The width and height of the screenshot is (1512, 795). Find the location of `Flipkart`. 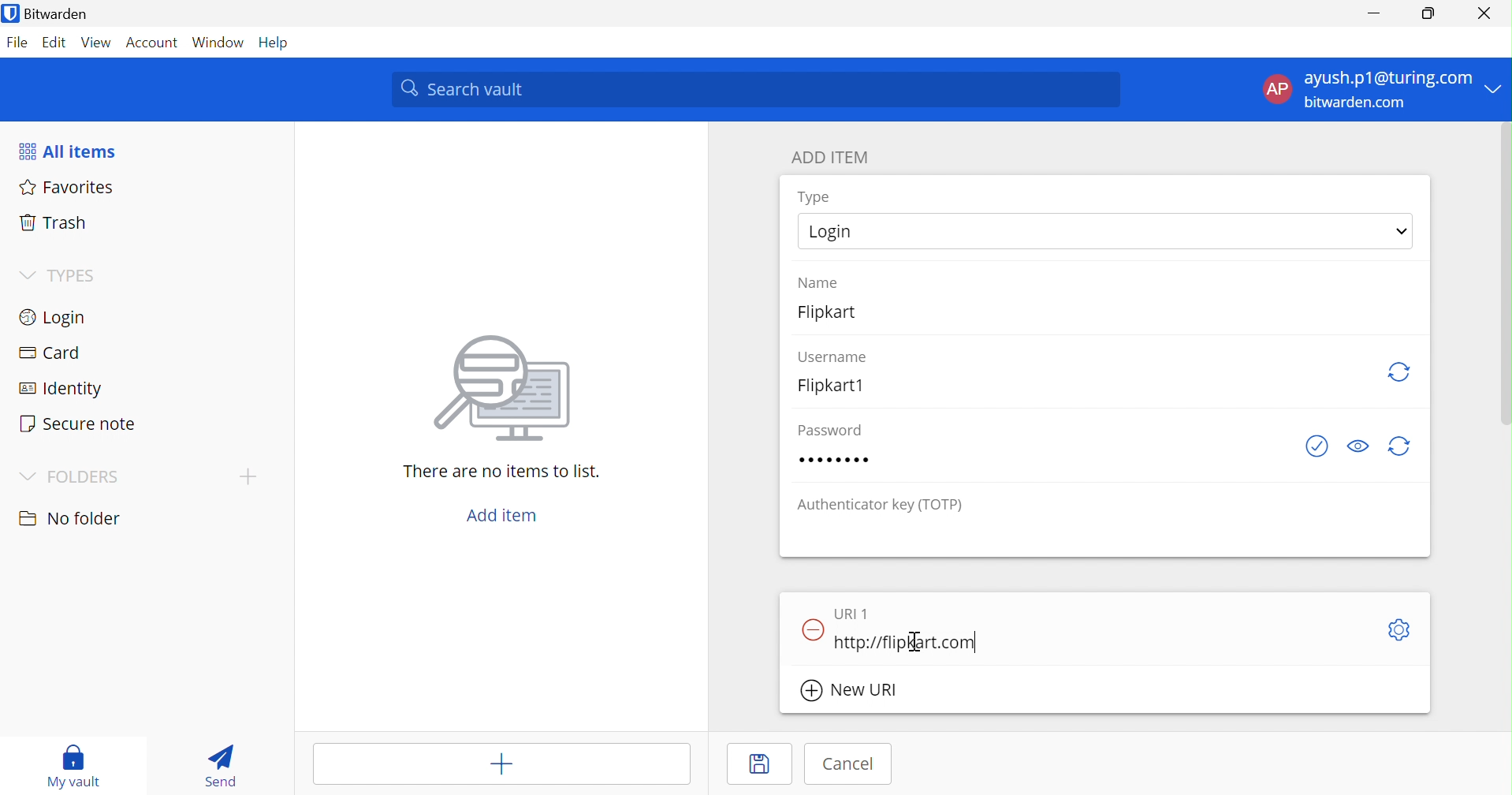

Flipkart is located at coordinates (837, 317).